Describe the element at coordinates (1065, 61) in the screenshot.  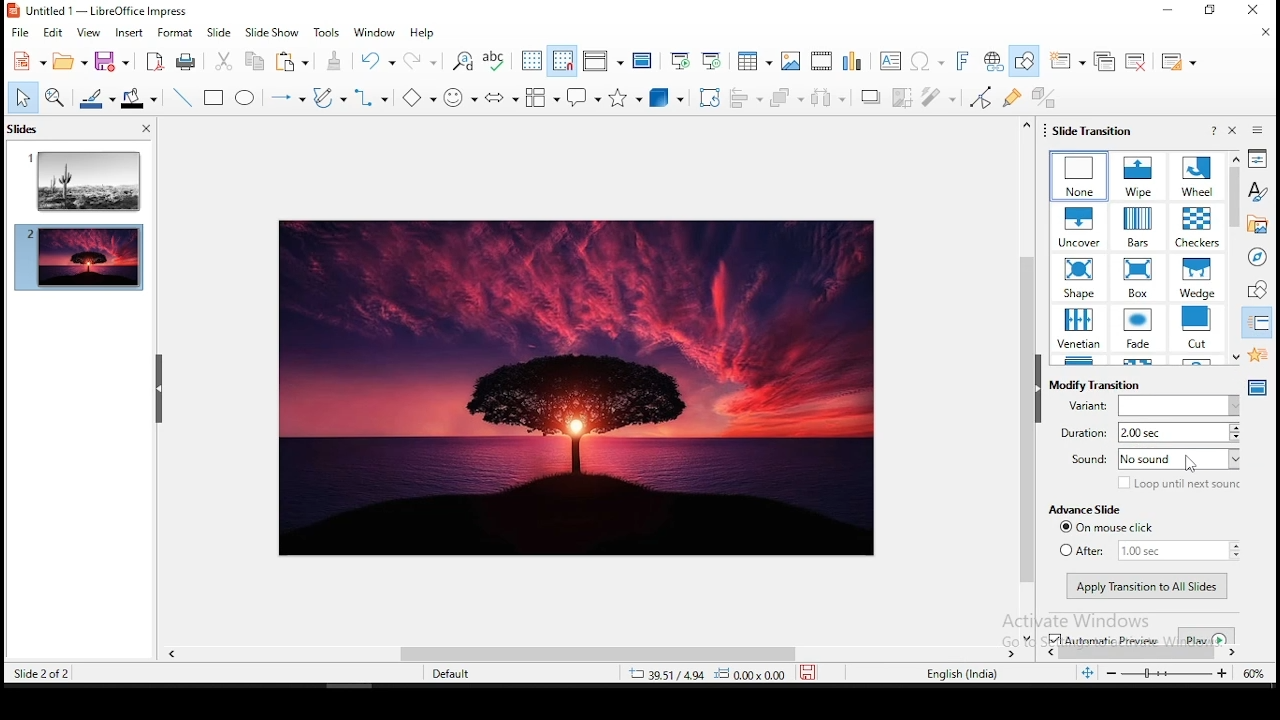
I see `new slide` at that location.